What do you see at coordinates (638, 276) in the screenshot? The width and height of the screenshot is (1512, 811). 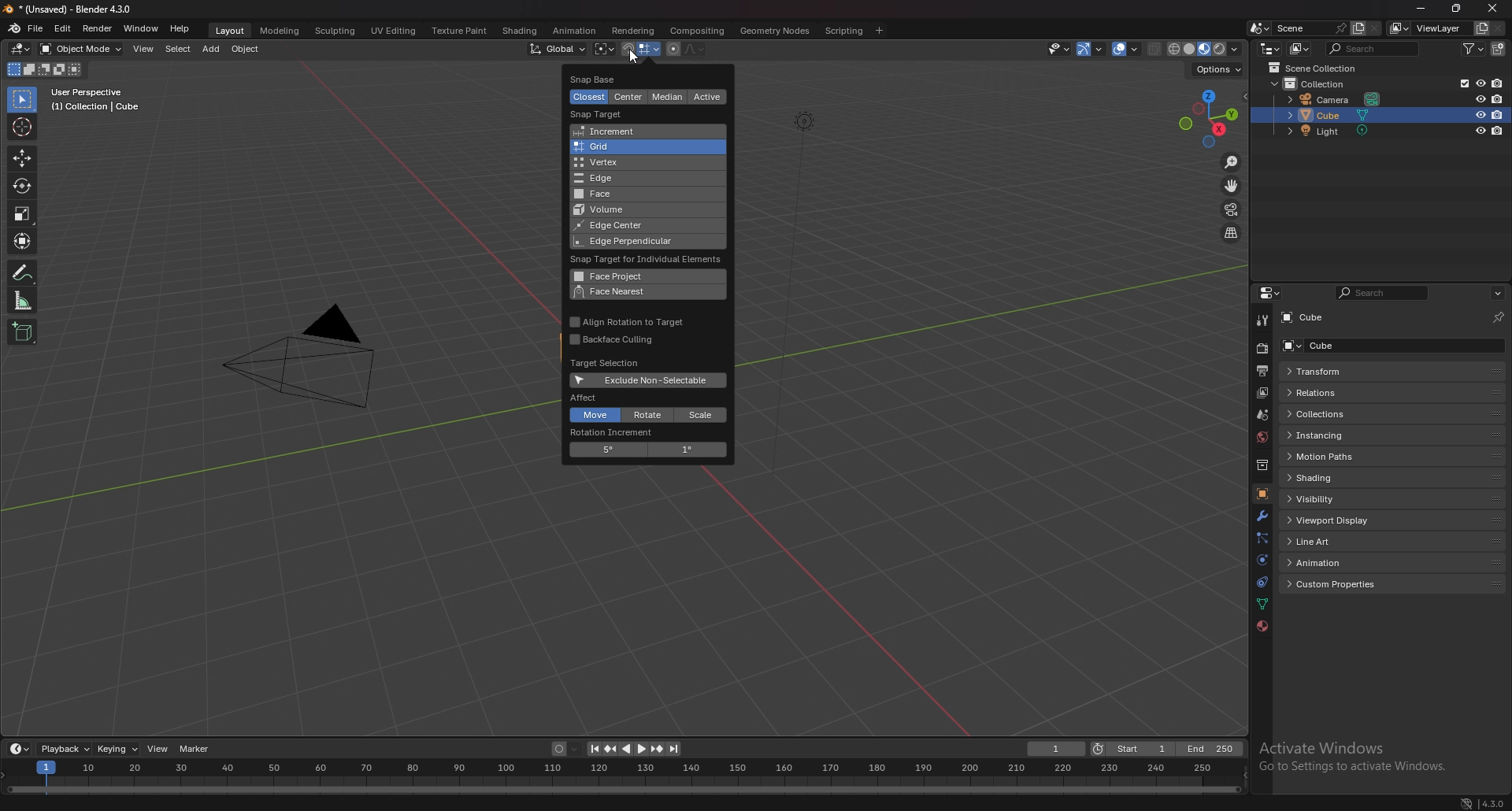 I see `face project` at bounding box center [638, 276].